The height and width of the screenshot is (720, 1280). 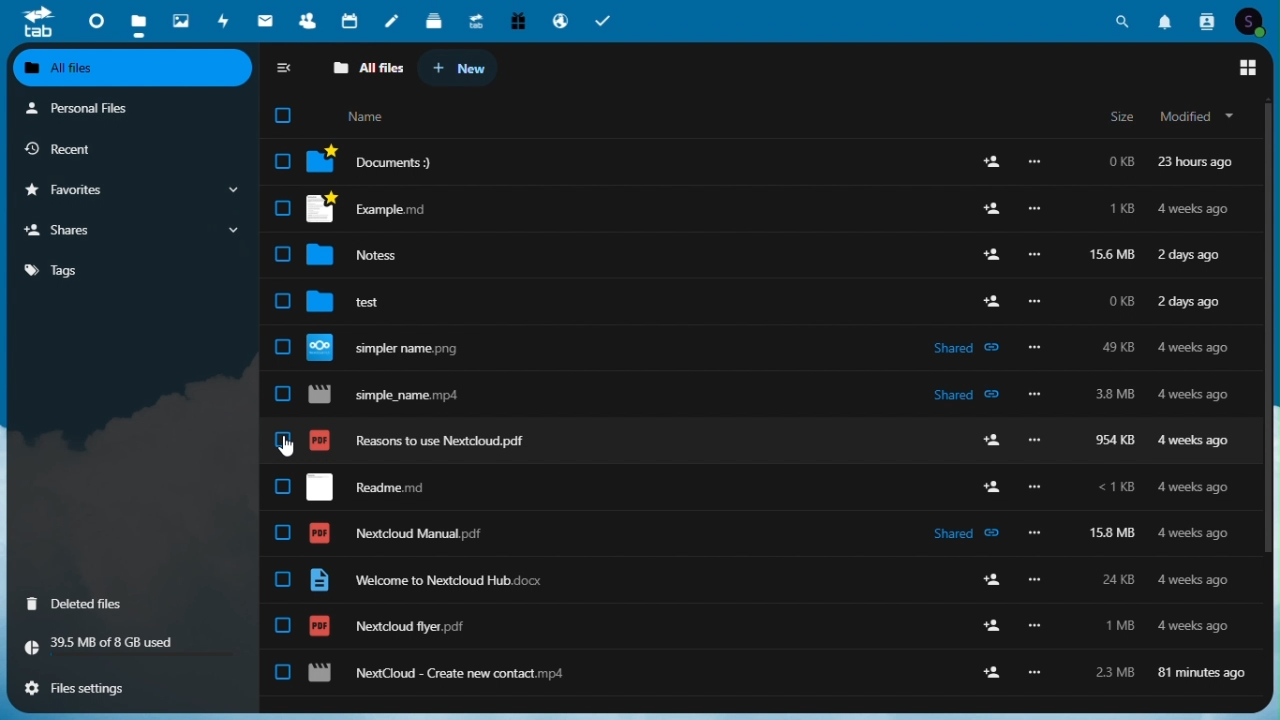 I want to click on shared, so click(x=964, y=347).